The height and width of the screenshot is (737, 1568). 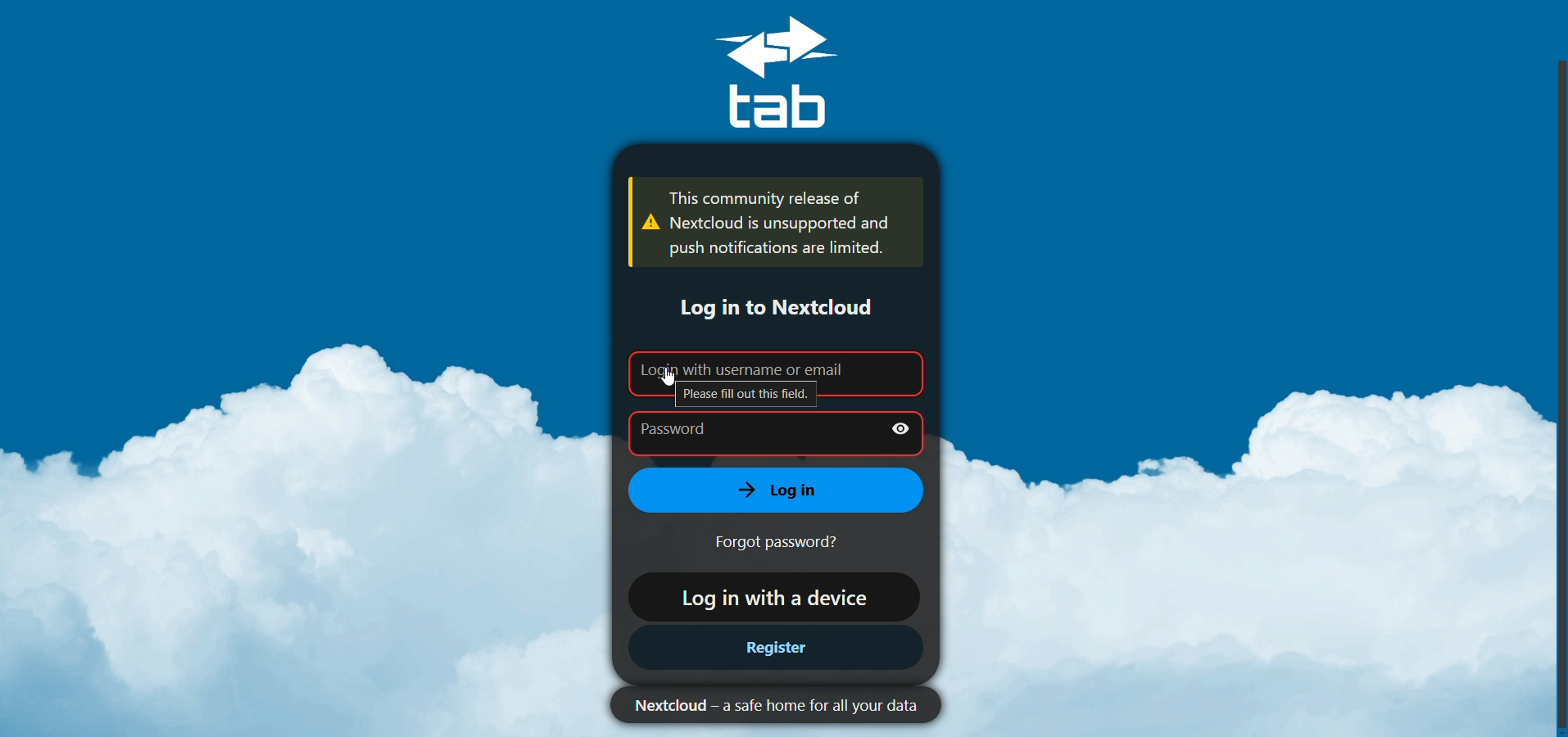 What do you see at coordinates (754, 434) in the screenshot?
I see `Password` at bounding box center [754, 434].